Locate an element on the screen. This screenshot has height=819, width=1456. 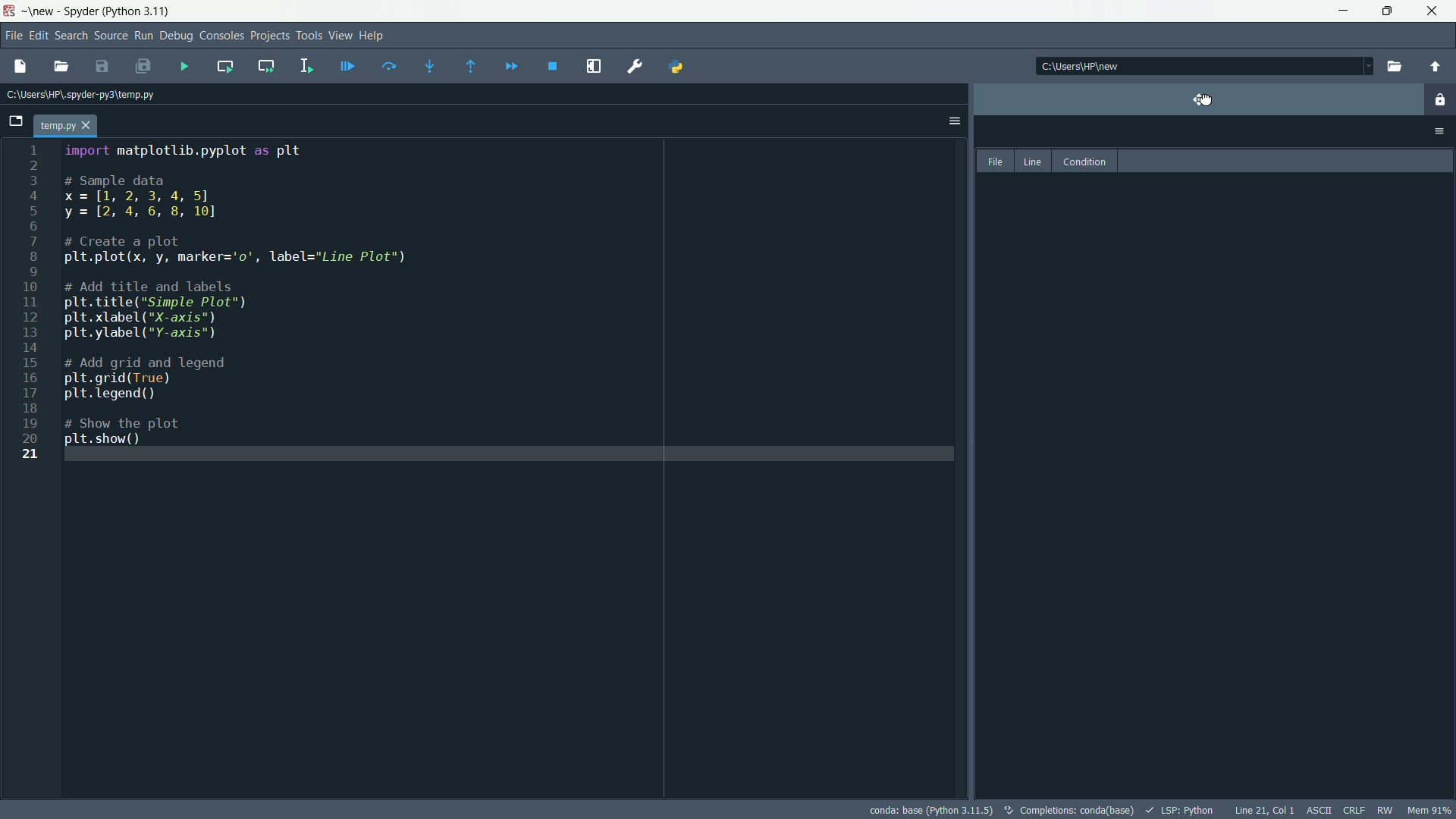
lsp:python is located at coordinates (1181, 809).